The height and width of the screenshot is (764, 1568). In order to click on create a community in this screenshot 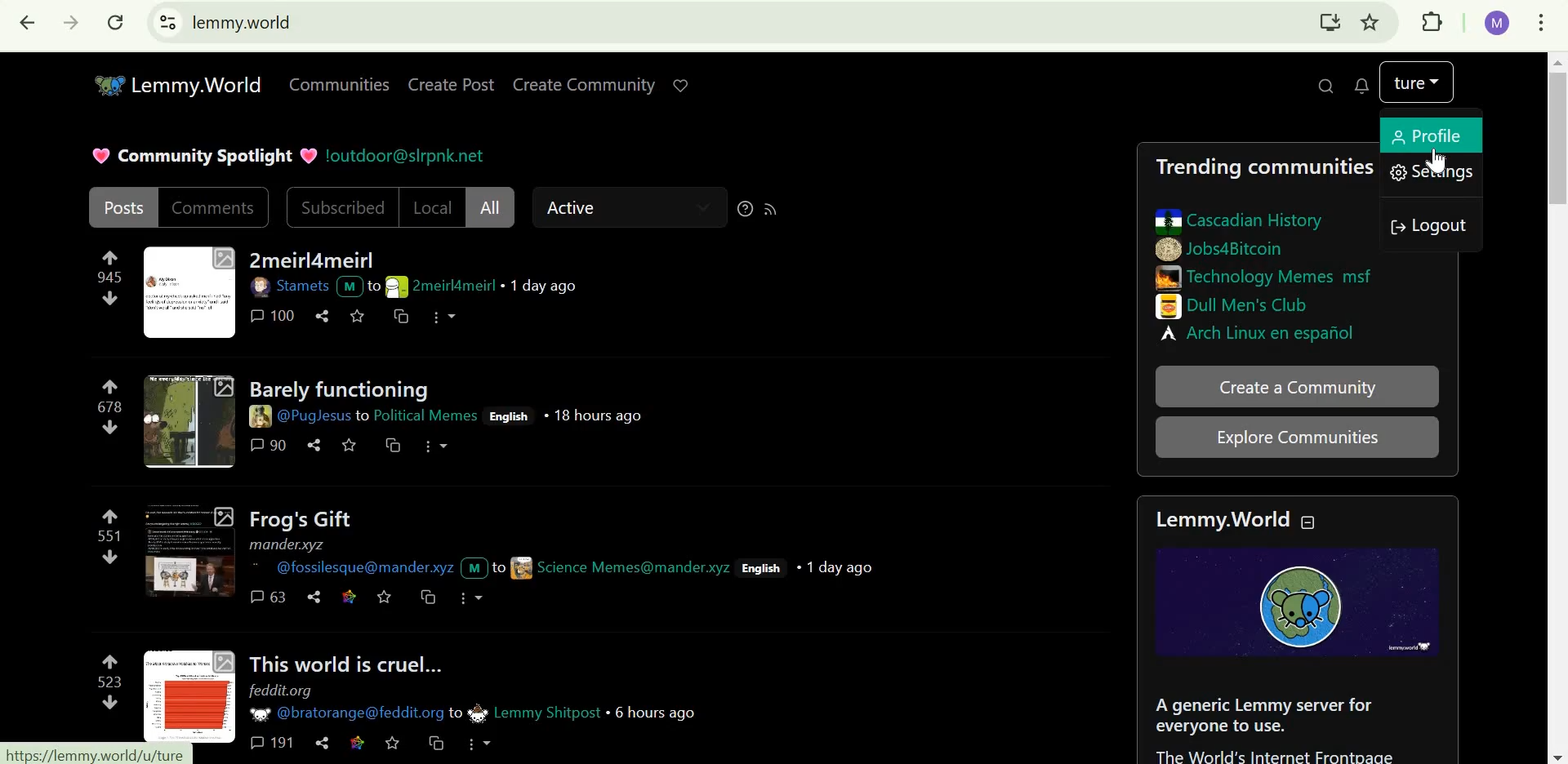, I will do `click(1298, 389)`.